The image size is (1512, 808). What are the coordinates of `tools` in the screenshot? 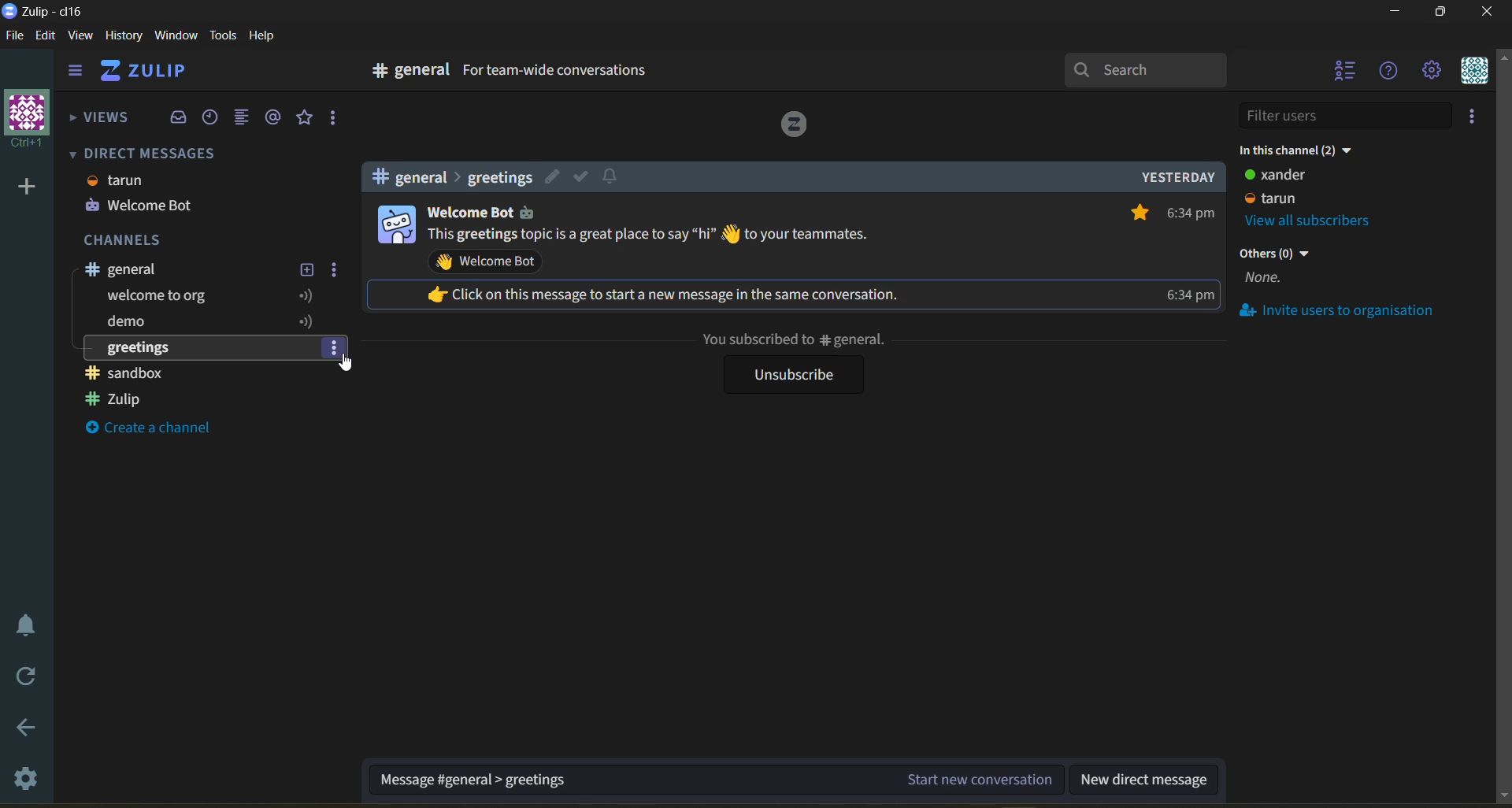 It's located at (222, 38).